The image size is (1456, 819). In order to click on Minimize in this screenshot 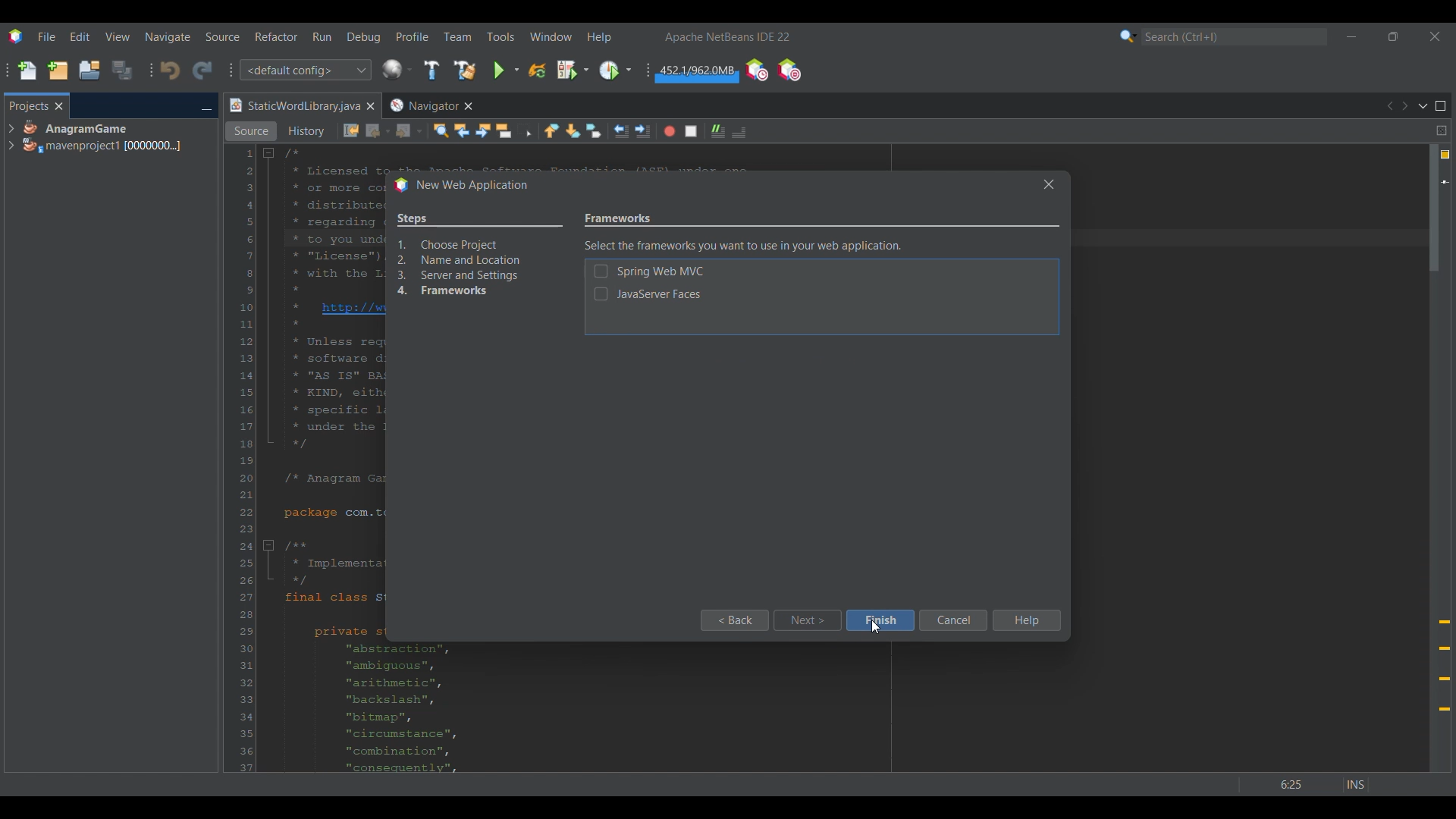, I will do `click(1351, 36)`.